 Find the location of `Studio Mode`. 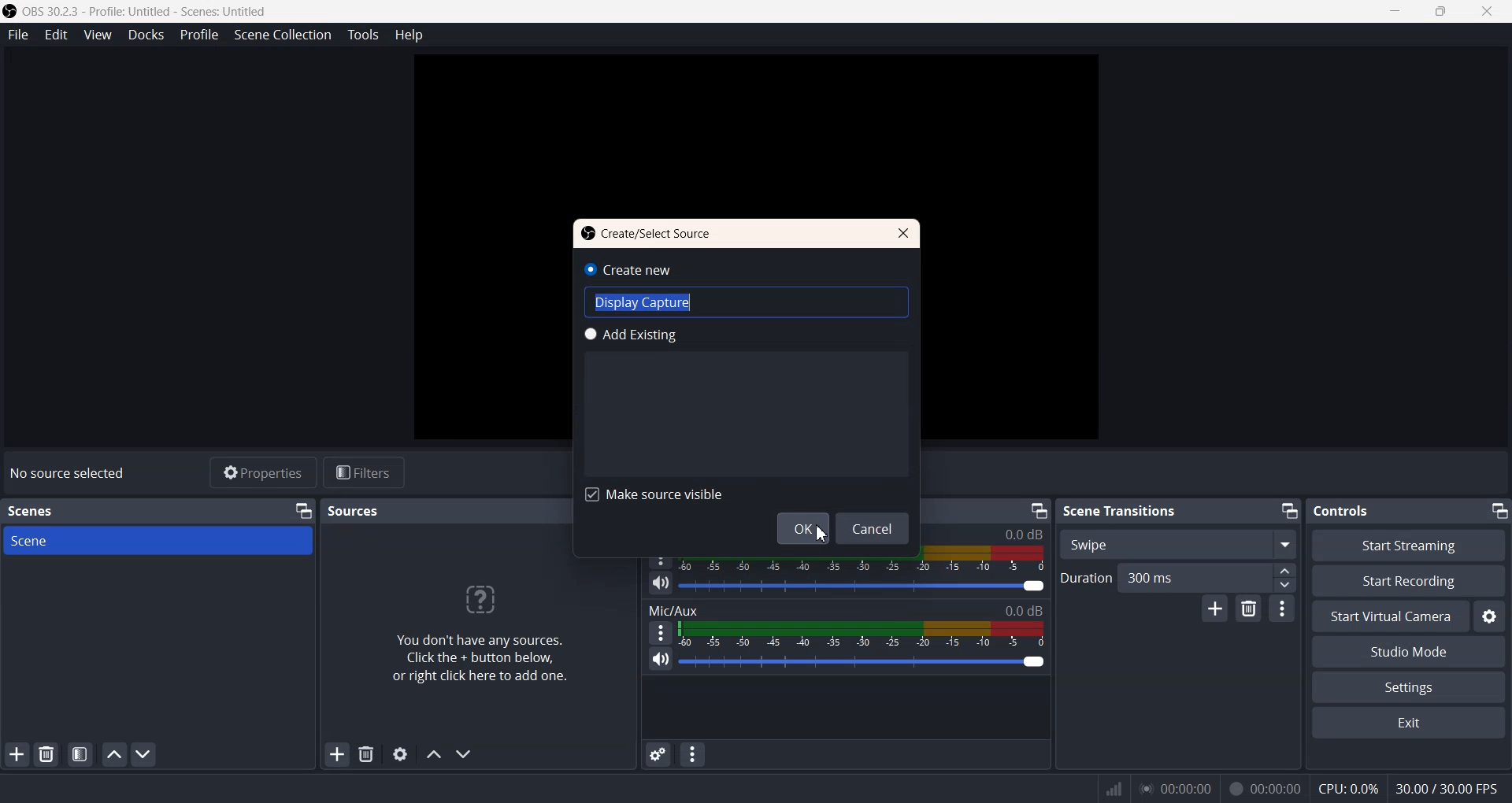

Studio Mode is located at coordinates (1407, 653).